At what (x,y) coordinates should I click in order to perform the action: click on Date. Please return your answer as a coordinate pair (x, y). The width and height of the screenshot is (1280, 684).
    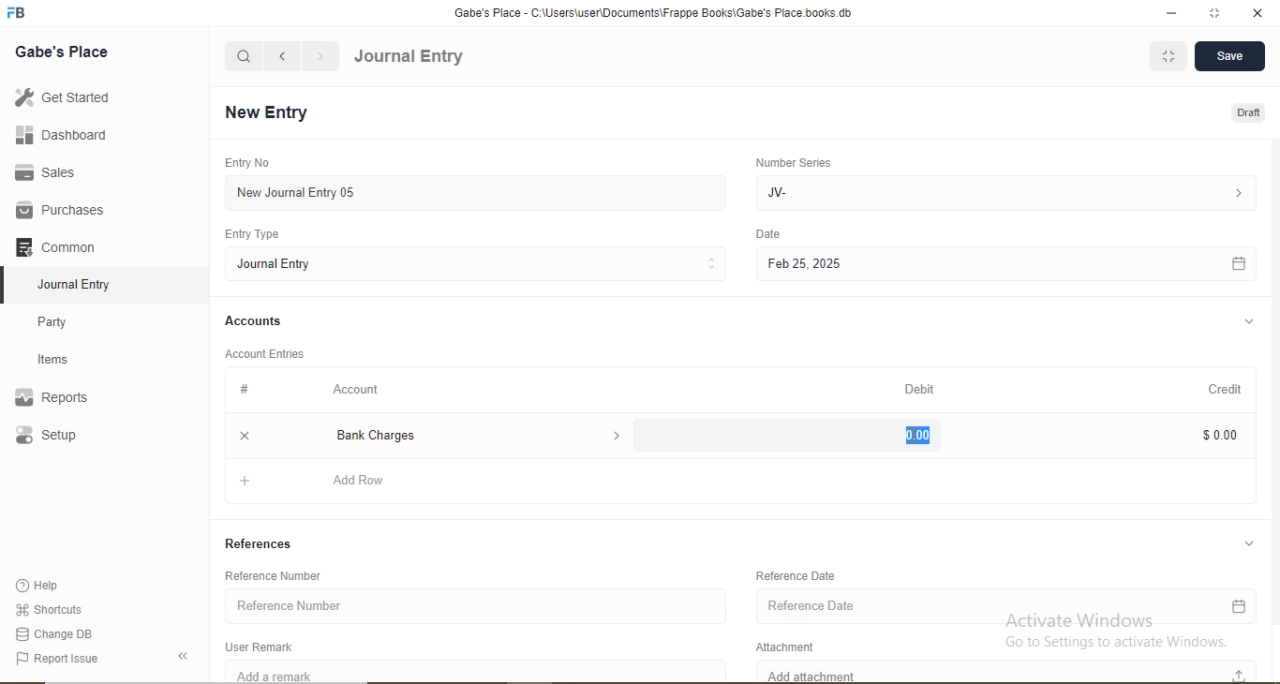
    Looking at the image, I should click on (769, 234).